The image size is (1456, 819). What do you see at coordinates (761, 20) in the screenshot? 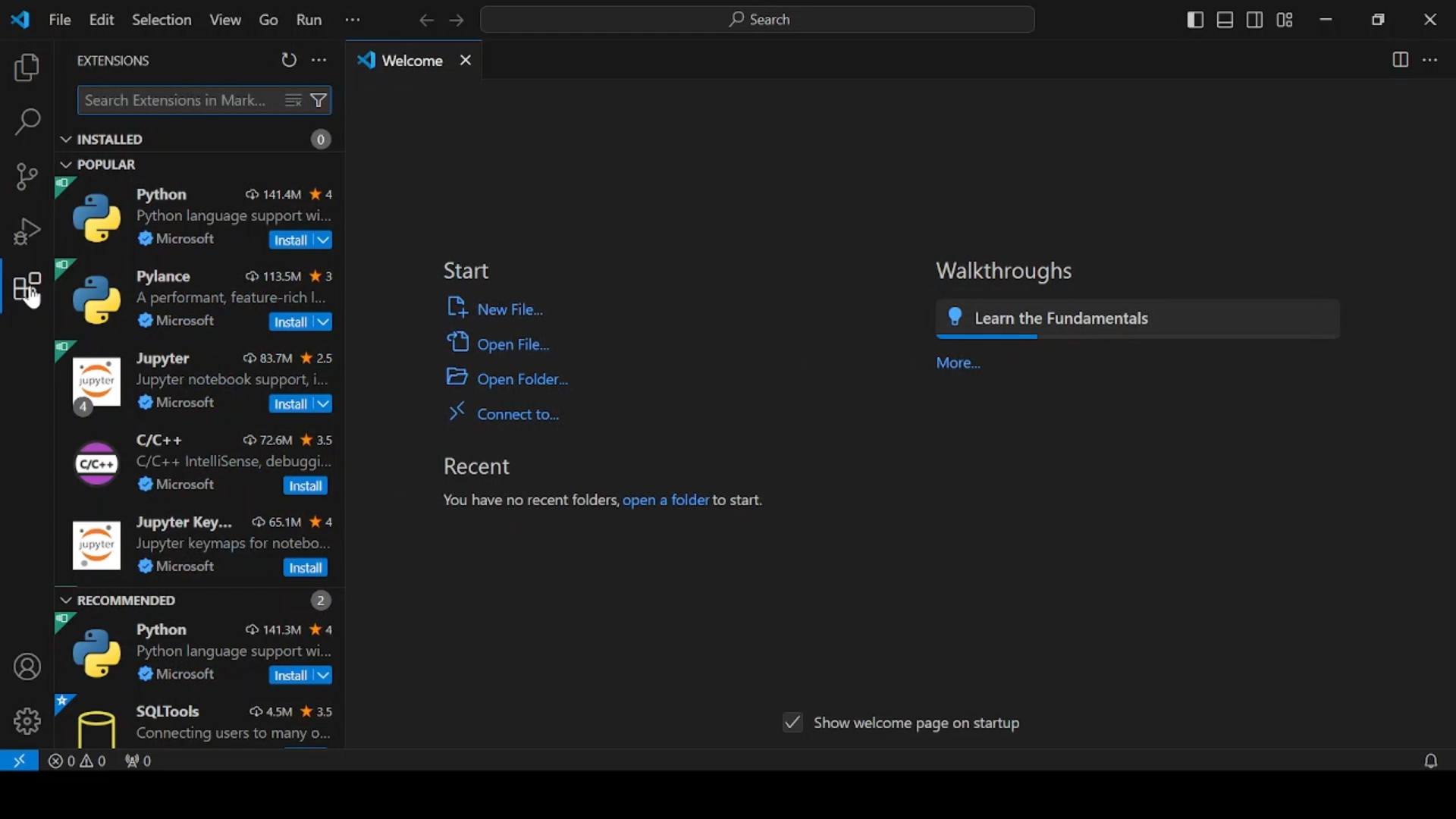
I see `search` at bounding box center [761, 20].